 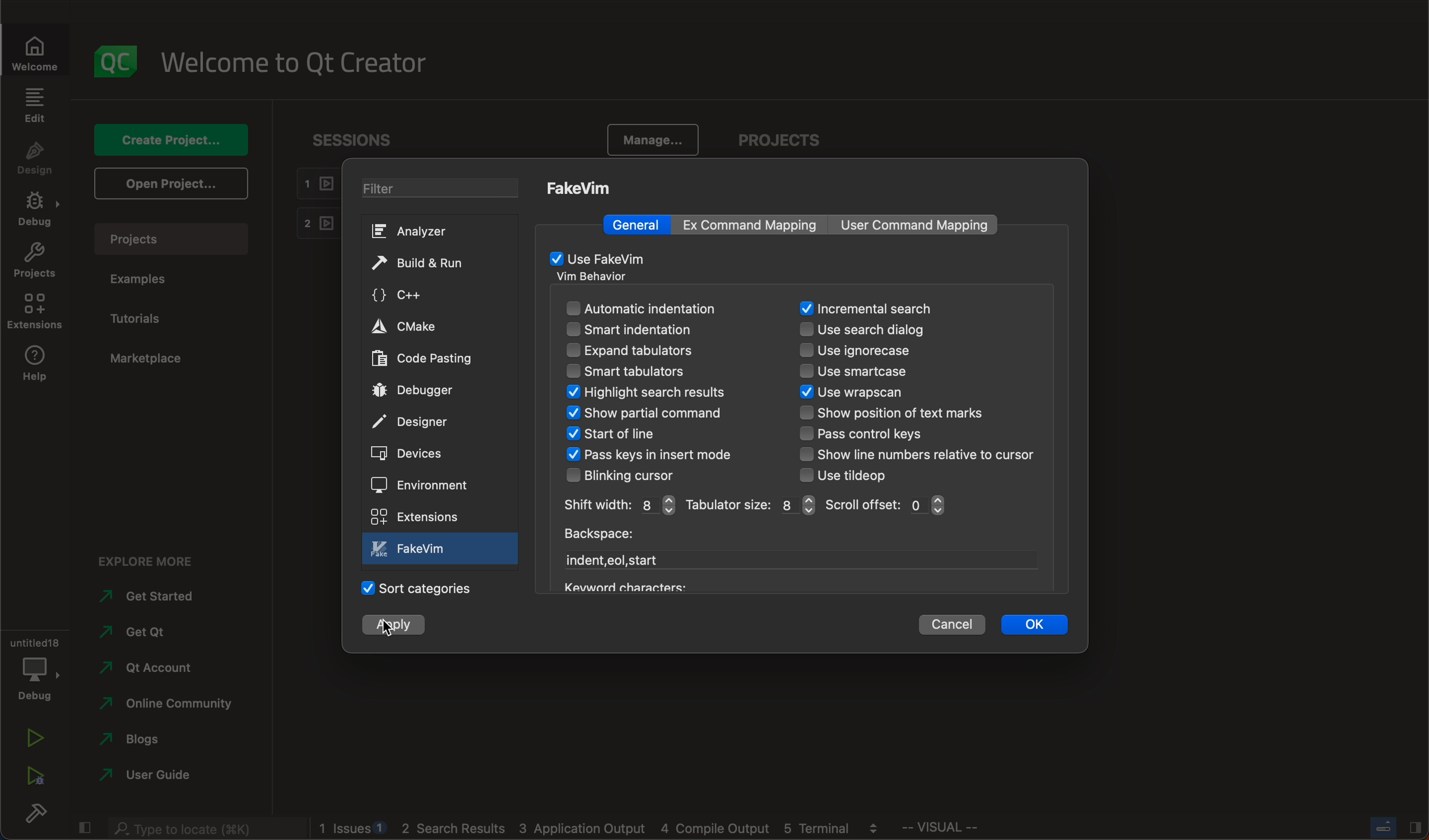 What do you see at coordinates (158, 633) in the screenshot?
I see `qt` at bounding box center [158, 633].